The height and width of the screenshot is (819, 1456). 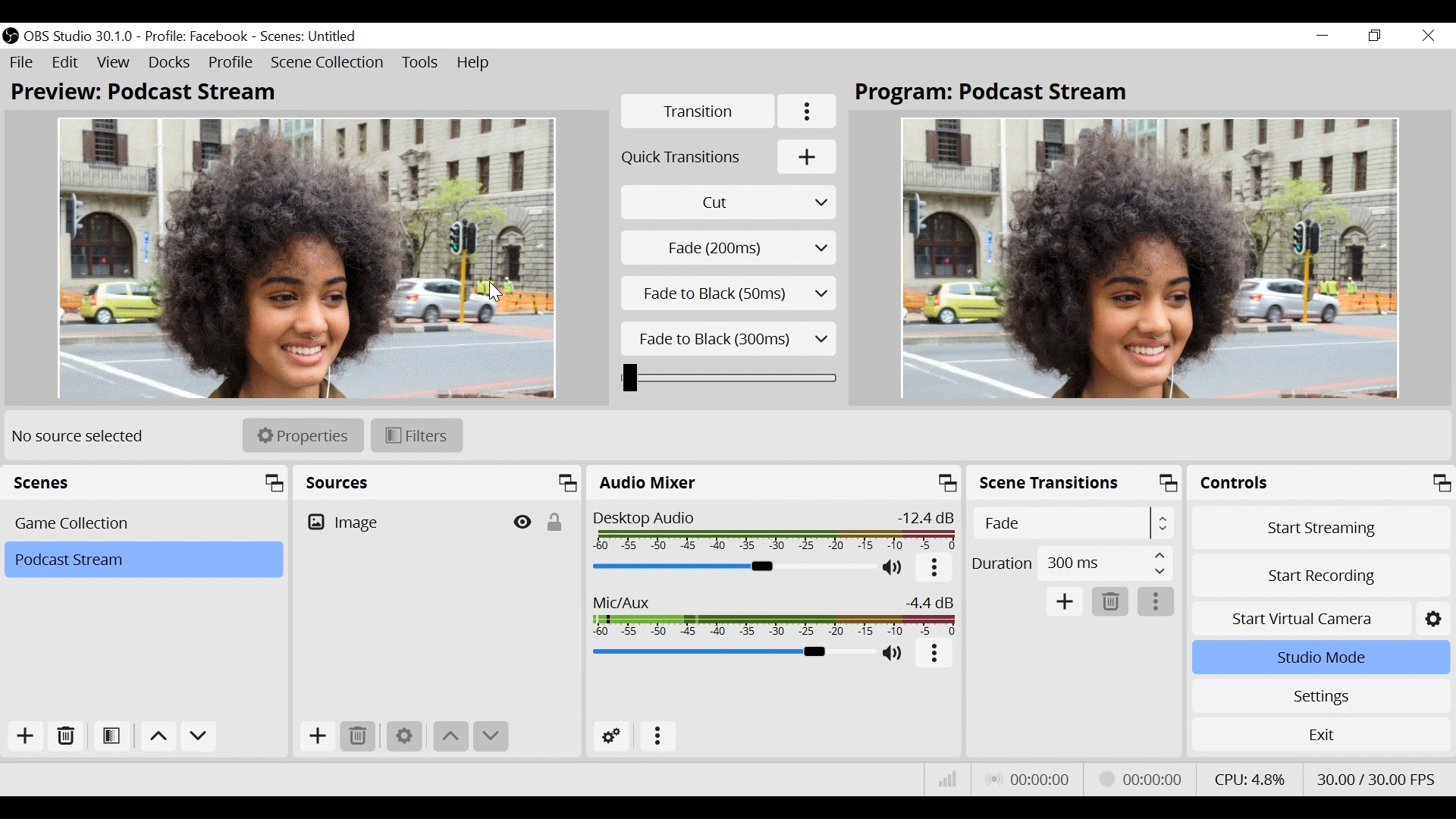 What do you see at coordinates (111, 736) in the screenshot?
I see `Open Scene Filter` at bounding box center [111, 736].